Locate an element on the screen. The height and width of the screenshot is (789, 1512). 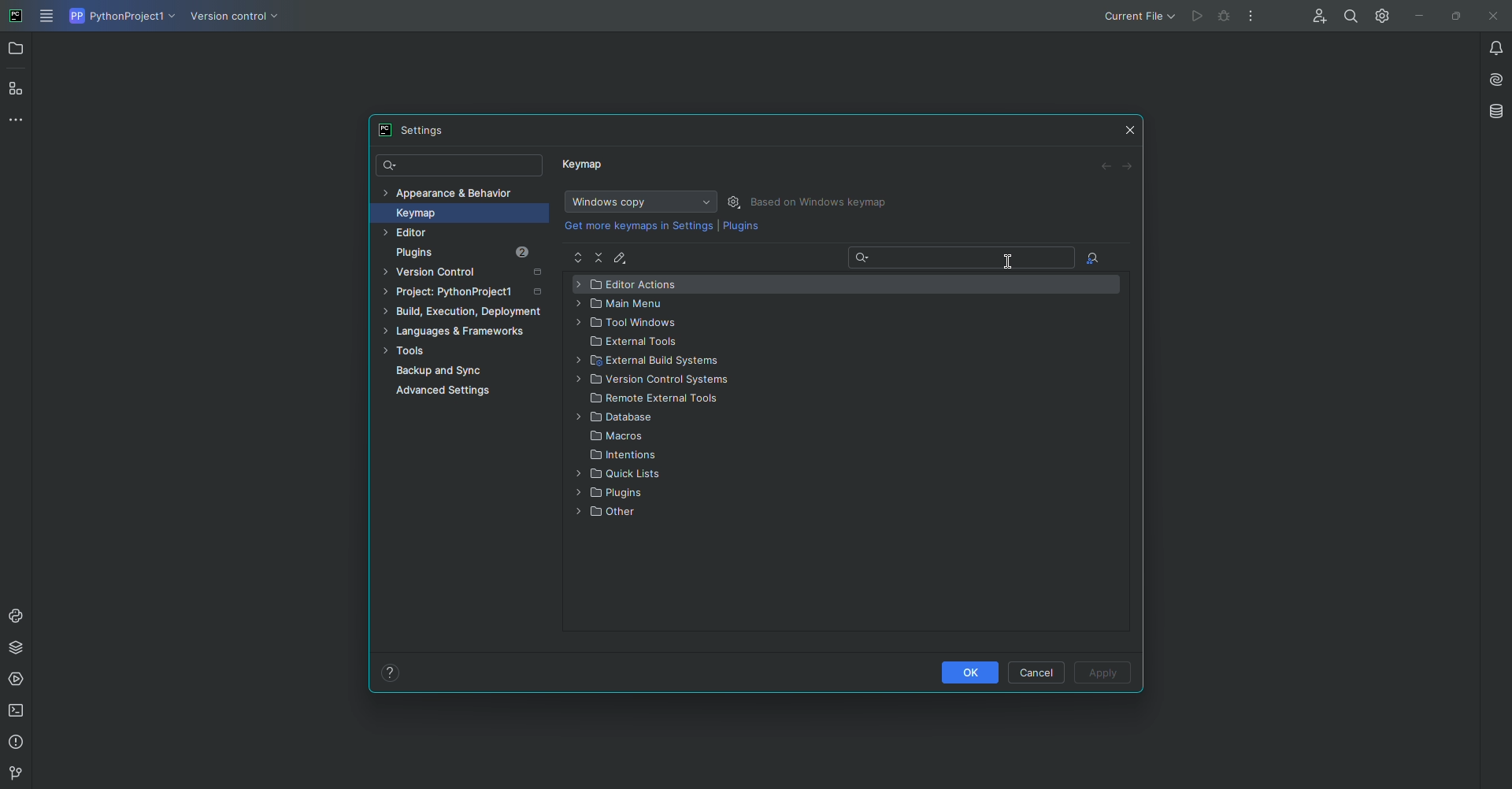
Project is located at coordinates (465, 294).